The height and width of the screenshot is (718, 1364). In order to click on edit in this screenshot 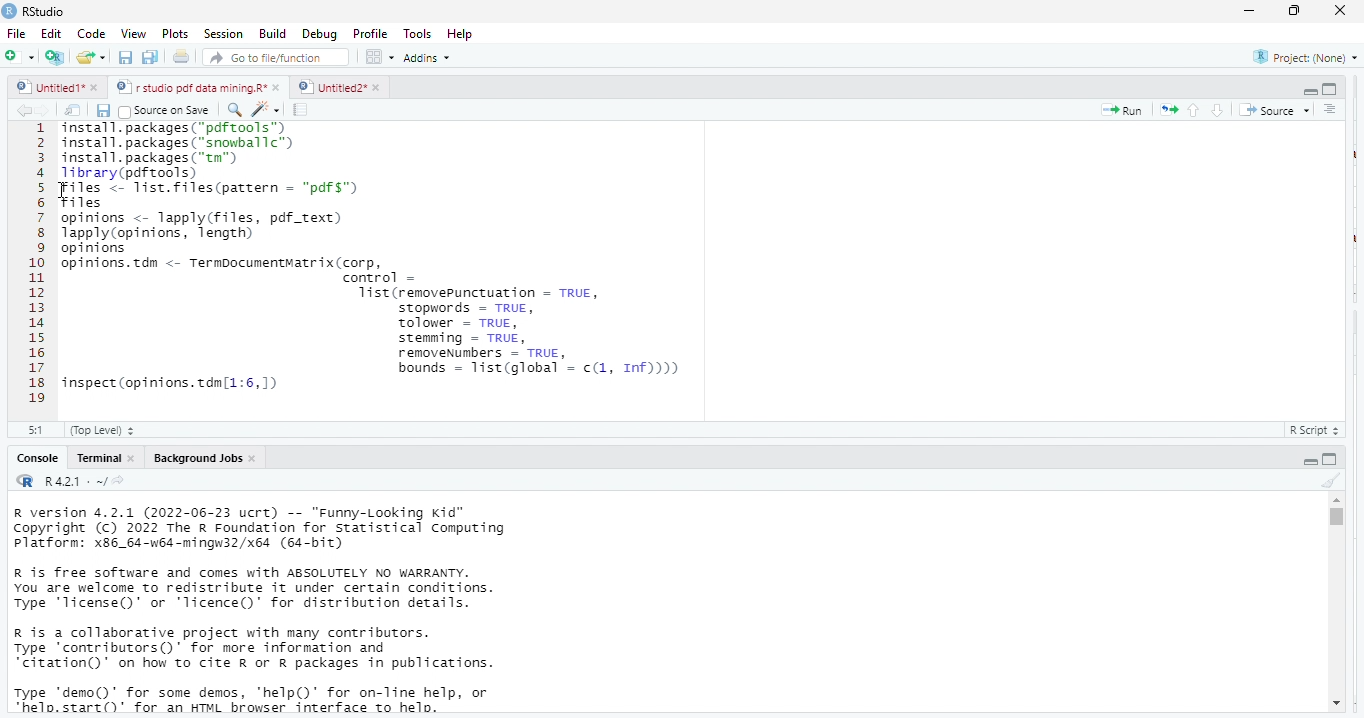, I will do `click(51, 34)`.